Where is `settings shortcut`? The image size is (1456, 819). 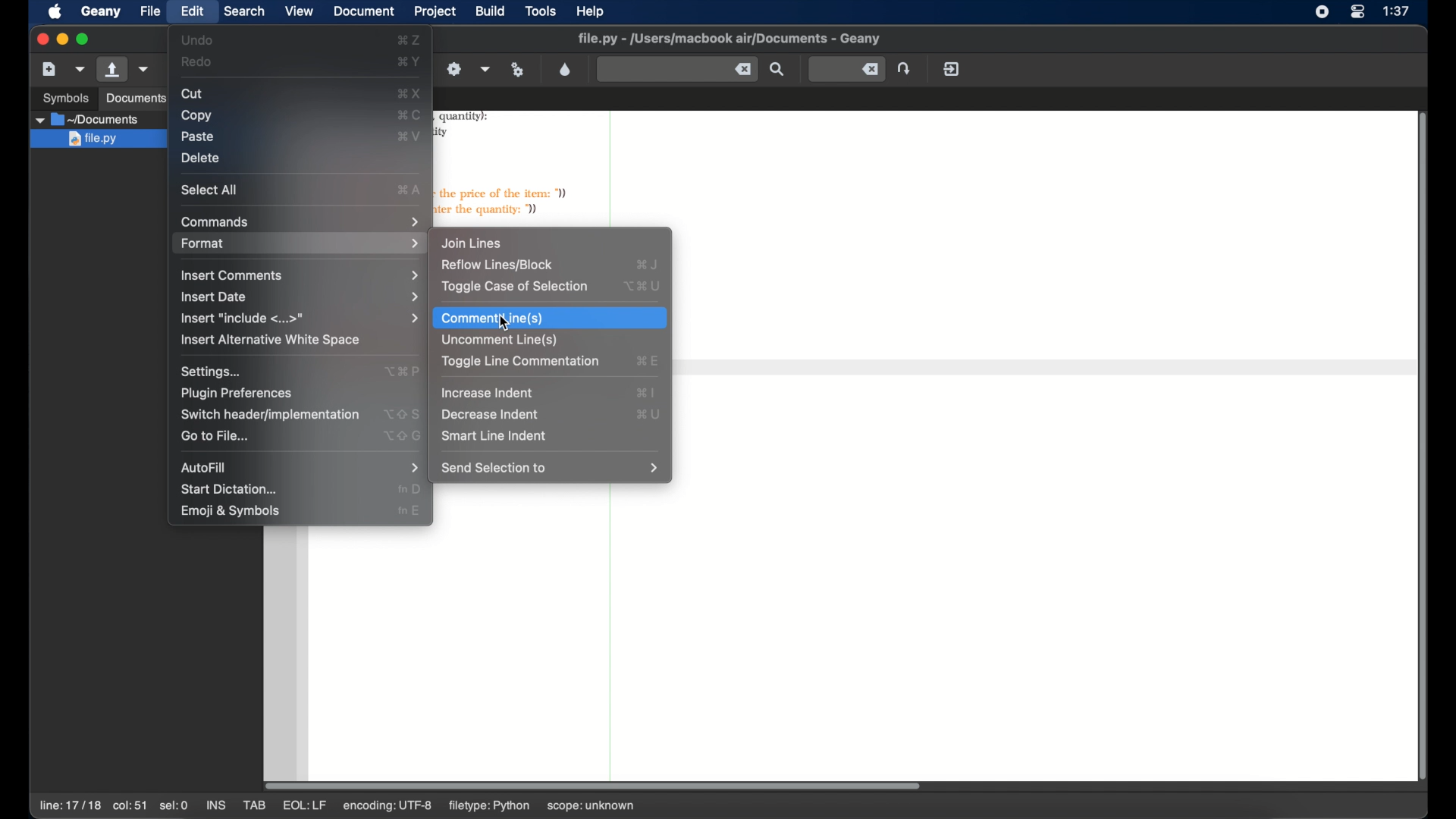
settings shortcut is located at coordinates (401, 372).